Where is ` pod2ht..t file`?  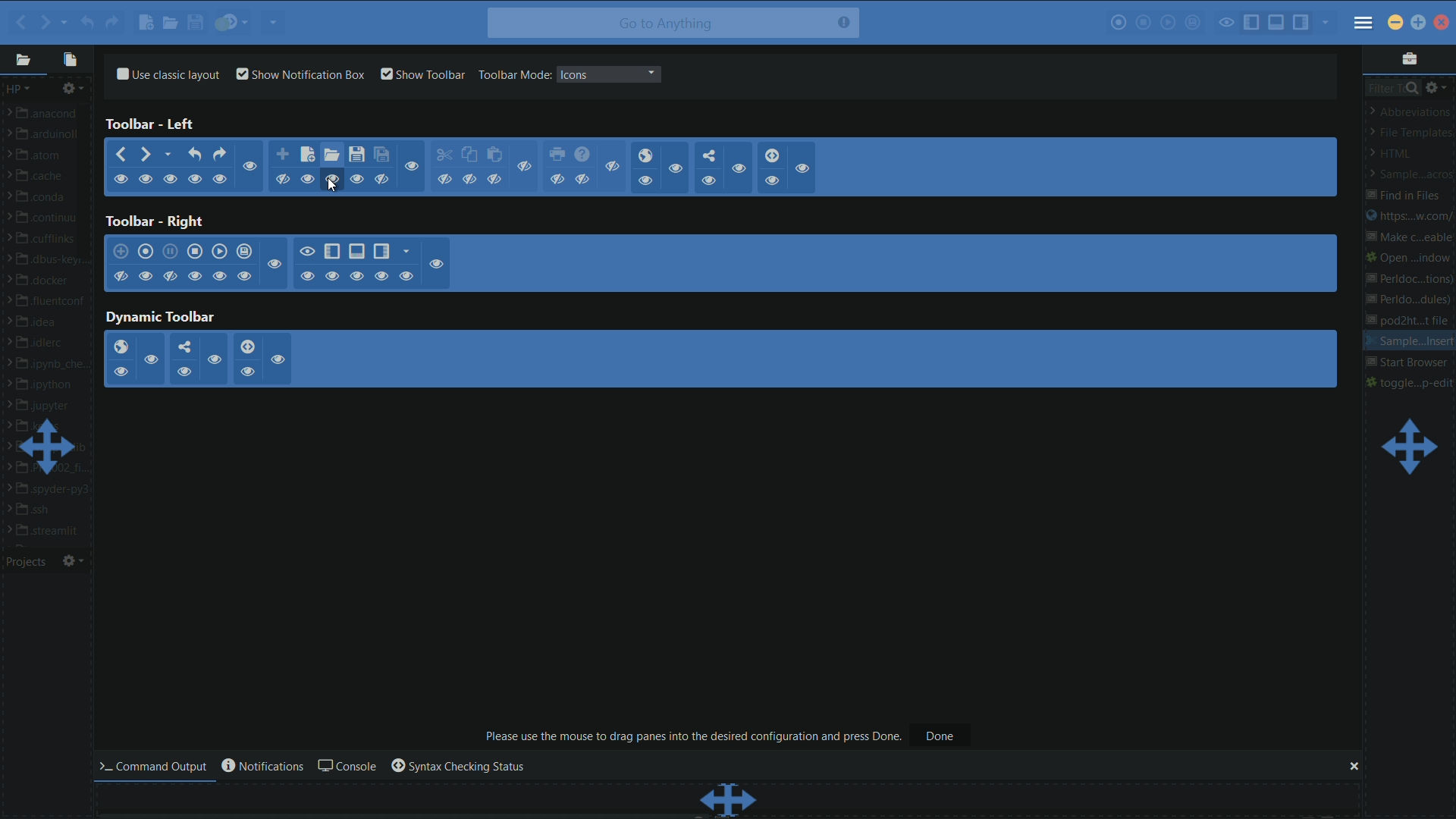
 pod2ht..t file is located at coordinates (1414, 322).